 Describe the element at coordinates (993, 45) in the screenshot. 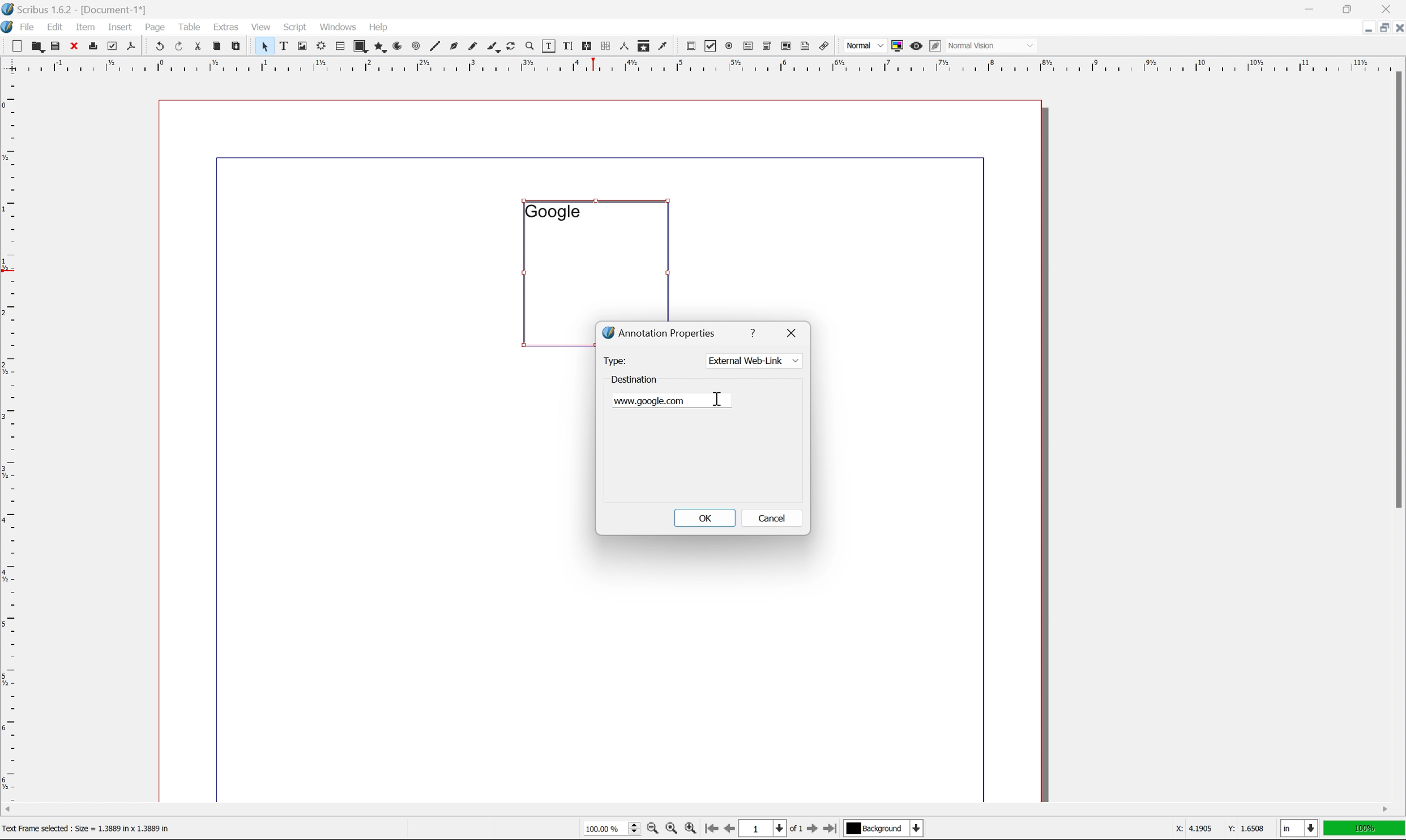

I see `normal vision` at that location.